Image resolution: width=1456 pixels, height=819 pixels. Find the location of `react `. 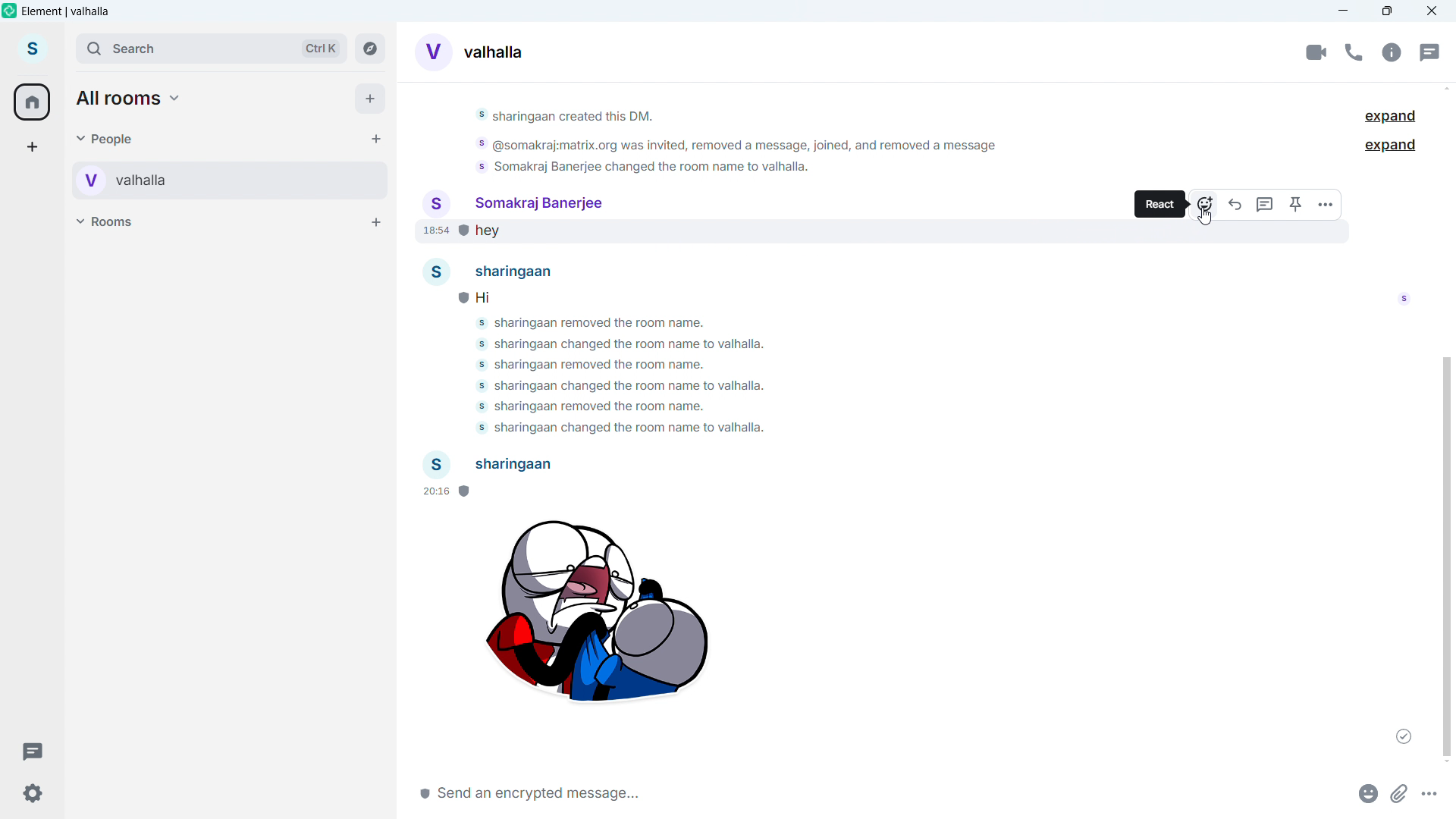

react  is located at coordinates (1208, 203).